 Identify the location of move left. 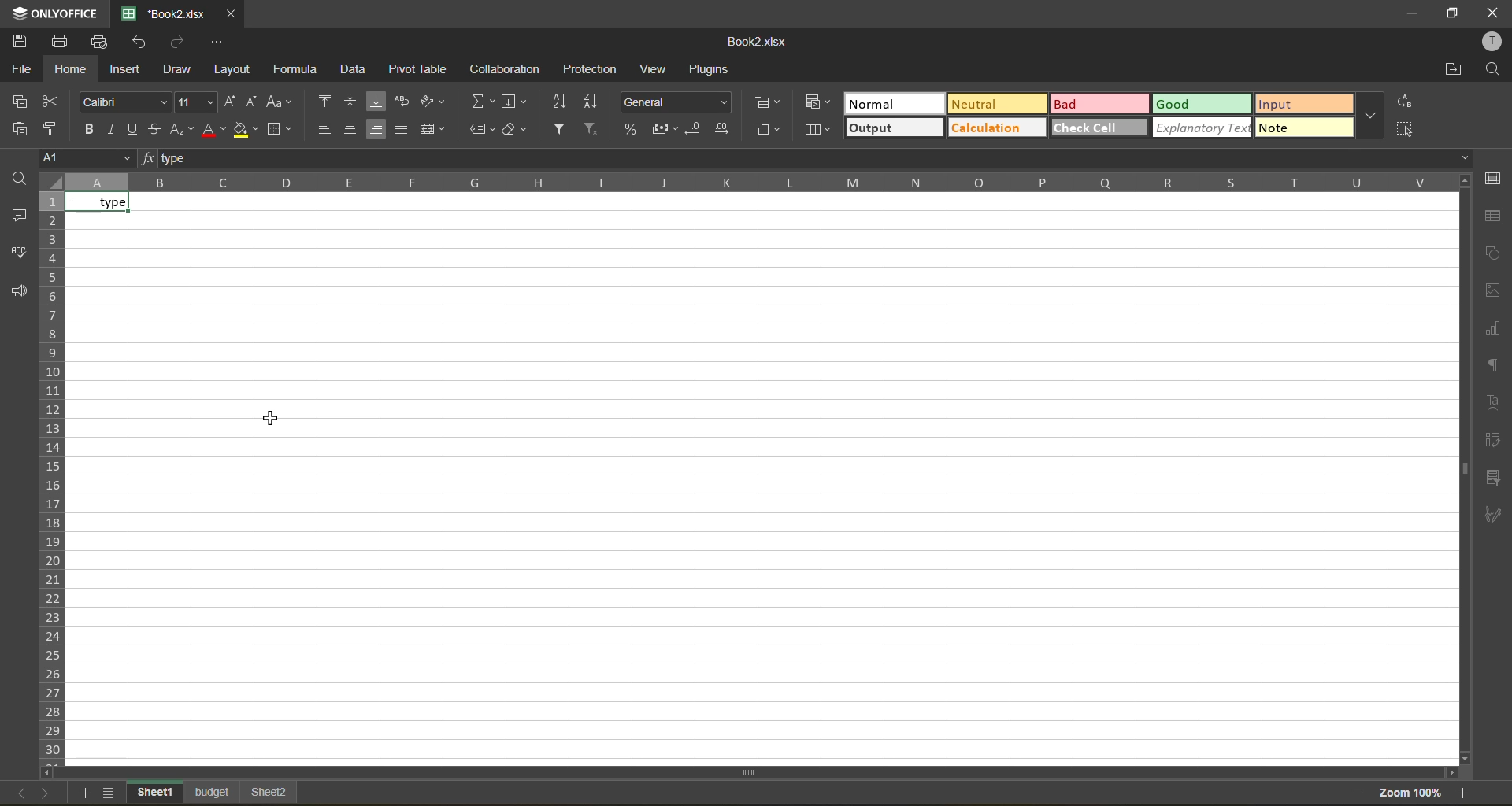
(50, 773).